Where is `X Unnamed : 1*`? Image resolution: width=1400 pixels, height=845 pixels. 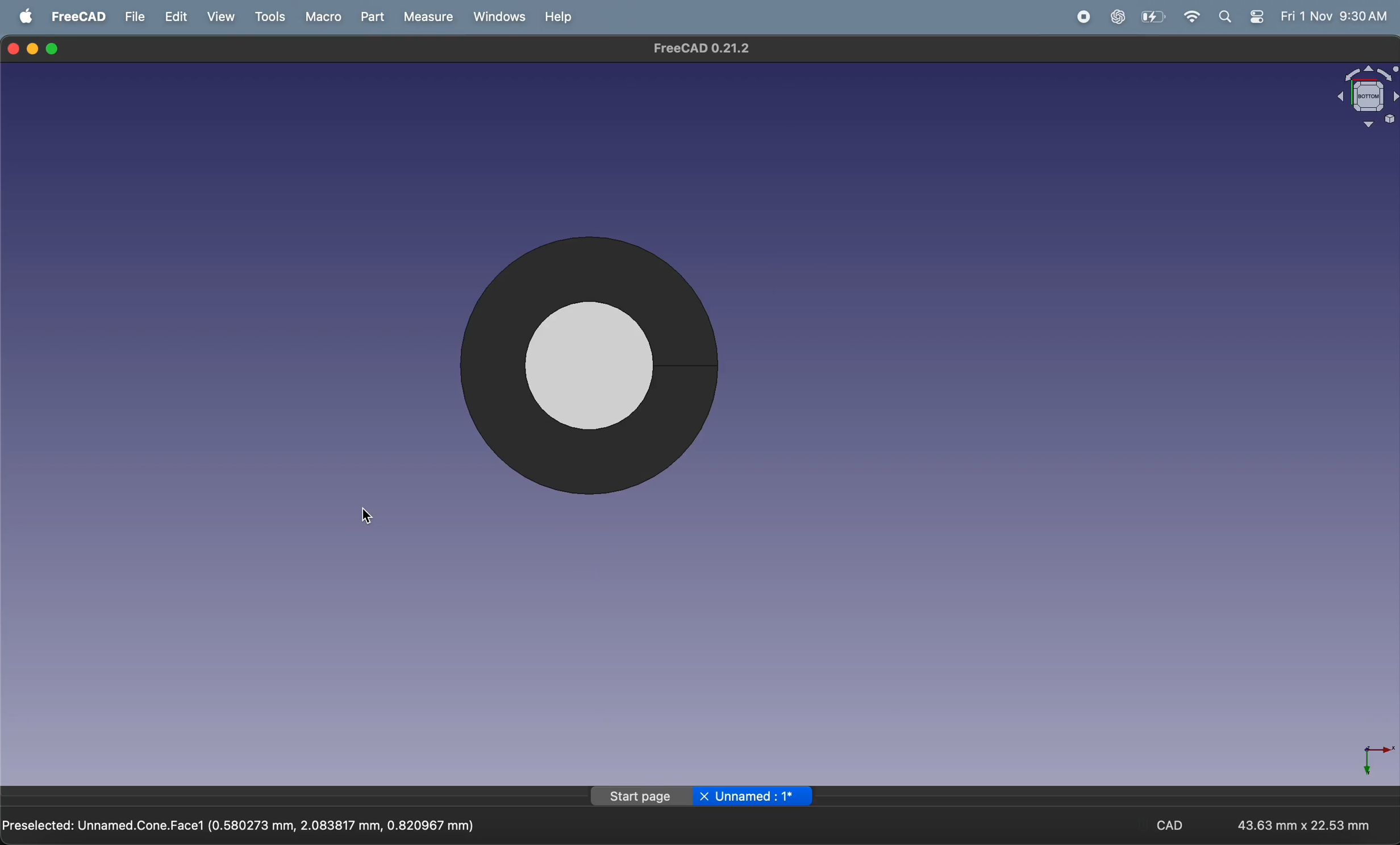 X Unnamed : 1* is located at coordinates (753, 794).